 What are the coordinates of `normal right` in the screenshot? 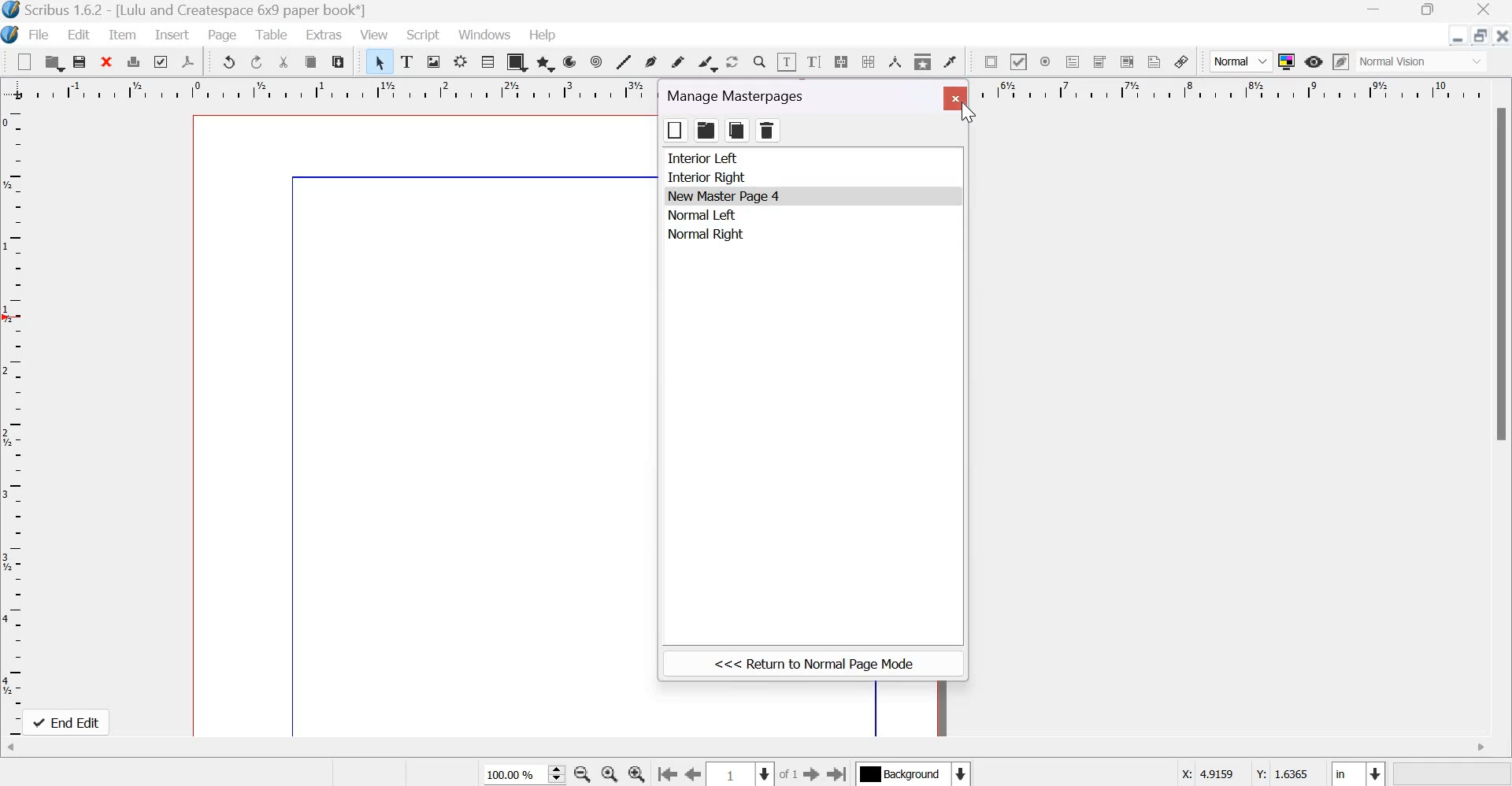 It's located at (708, 235).